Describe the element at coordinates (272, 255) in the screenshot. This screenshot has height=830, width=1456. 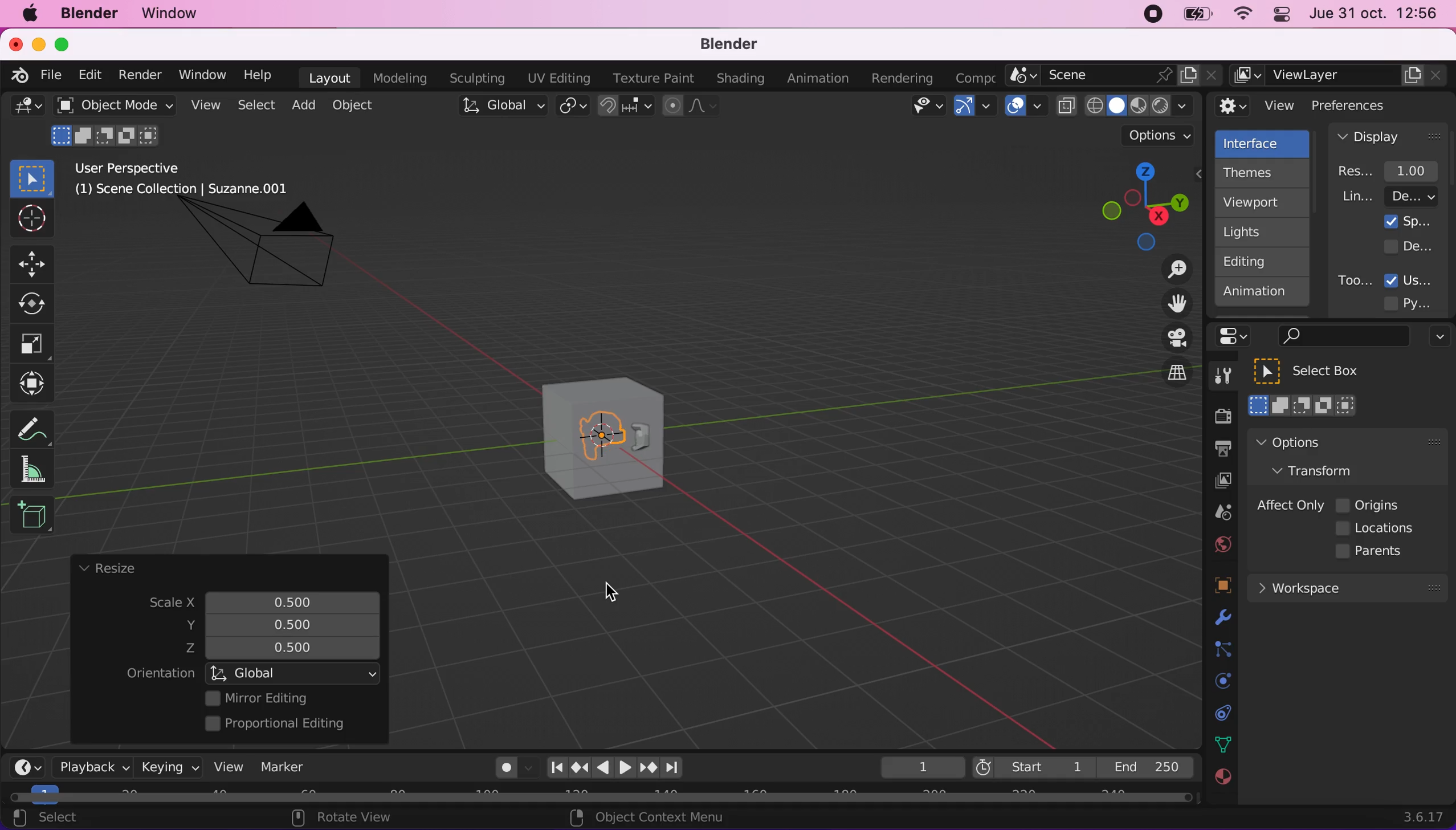
I see `camera` at that location.